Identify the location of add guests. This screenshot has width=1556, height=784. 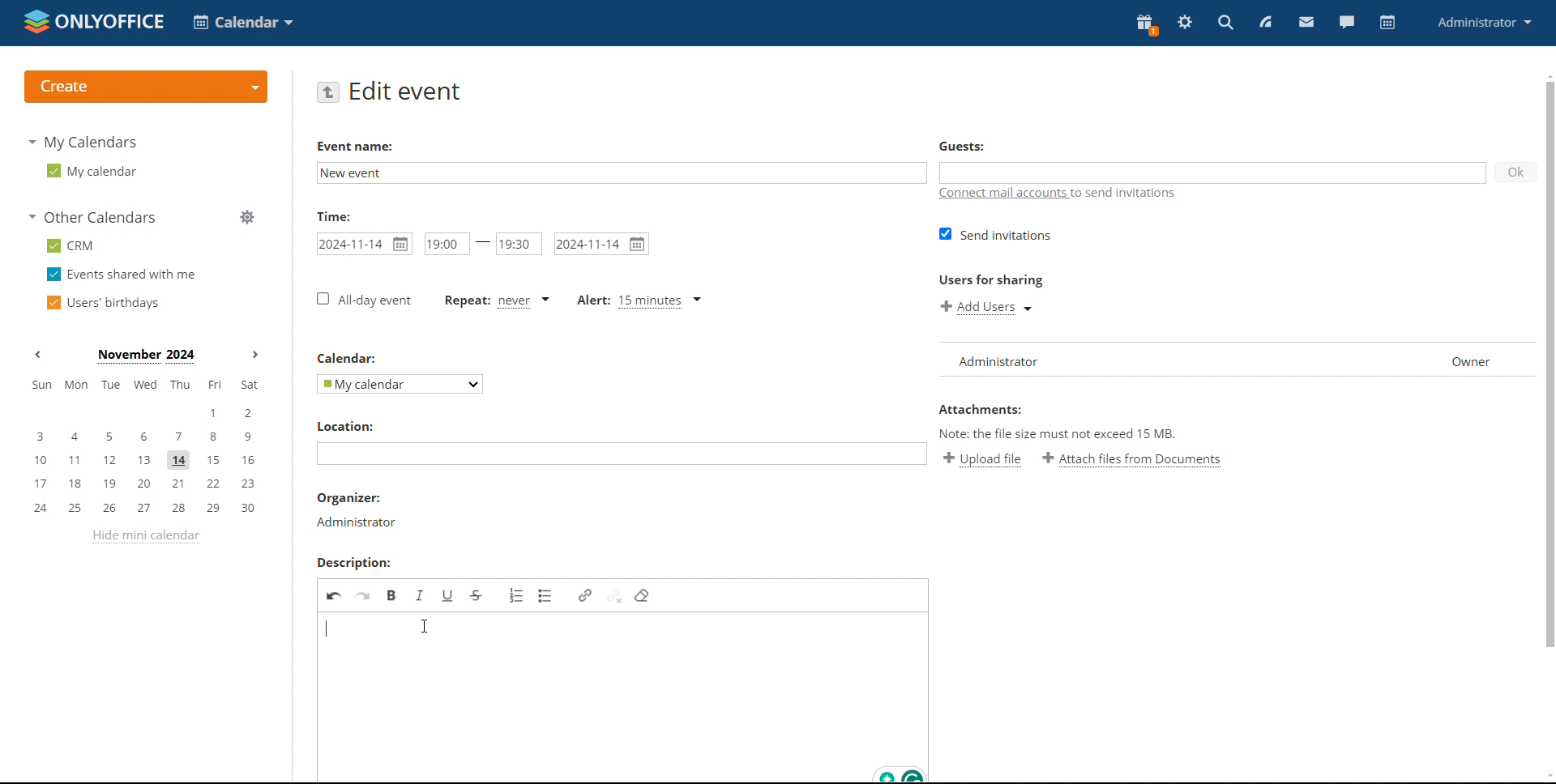
(1213, 172).